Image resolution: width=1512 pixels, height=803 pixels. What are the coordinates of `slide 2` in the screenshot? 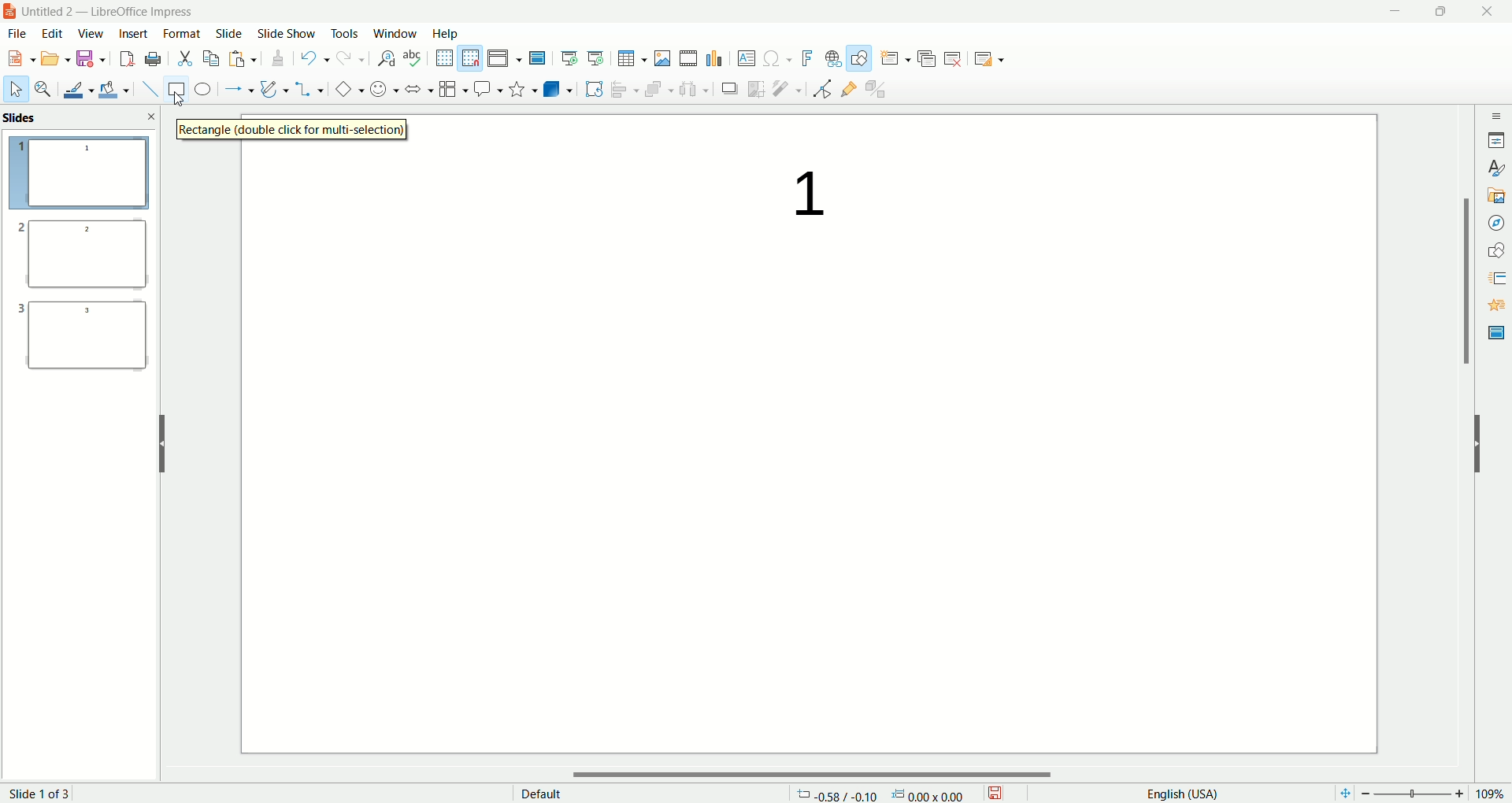 It's located at (79, 258).